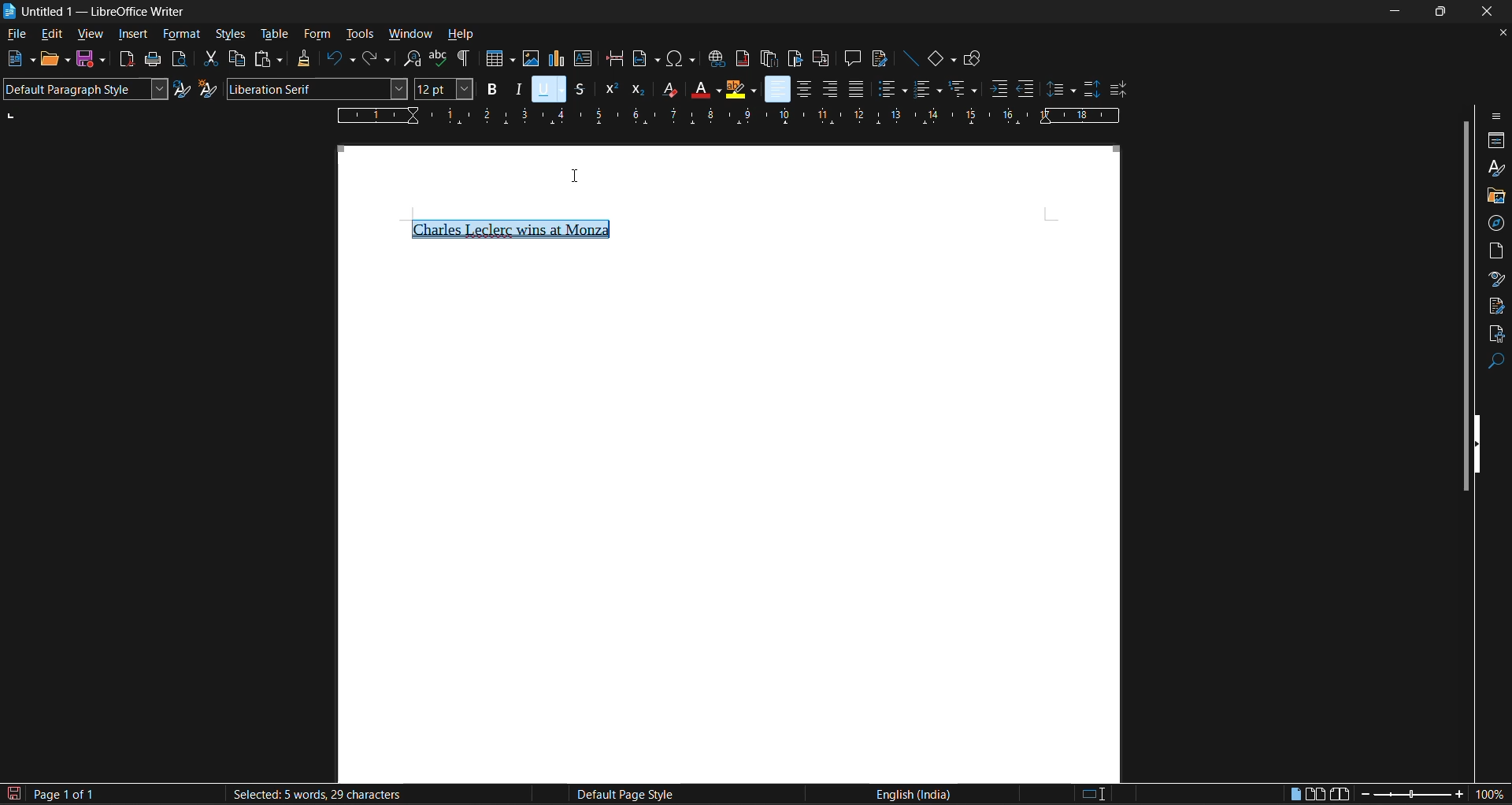 The image size is (1512, 805). What do you see at coordinates (1497, 306) in the screenshot?
I see `manage changes` at bounding box center [1497, 306].